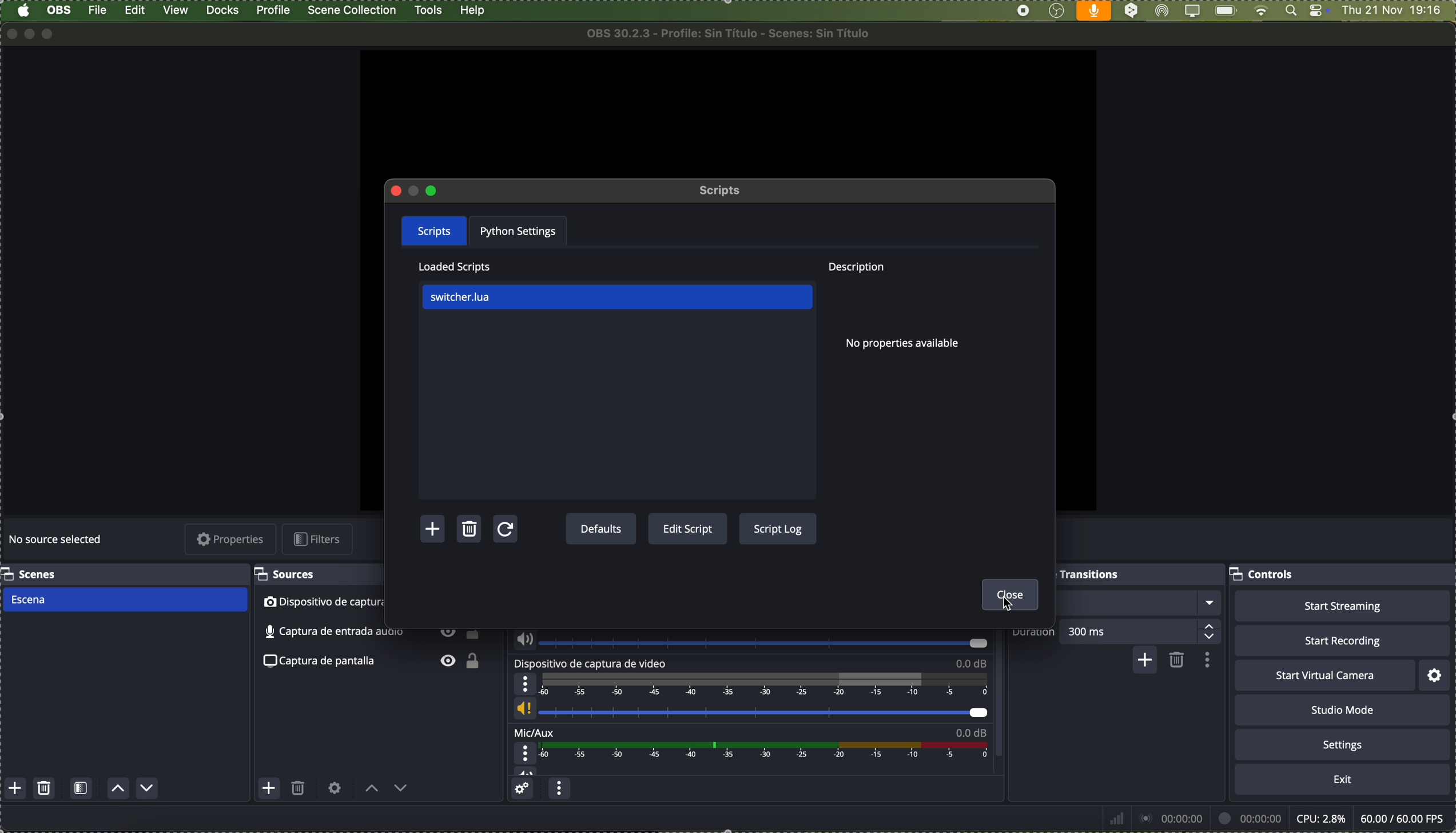  I want to click on audio input capture, so click(371, 632).